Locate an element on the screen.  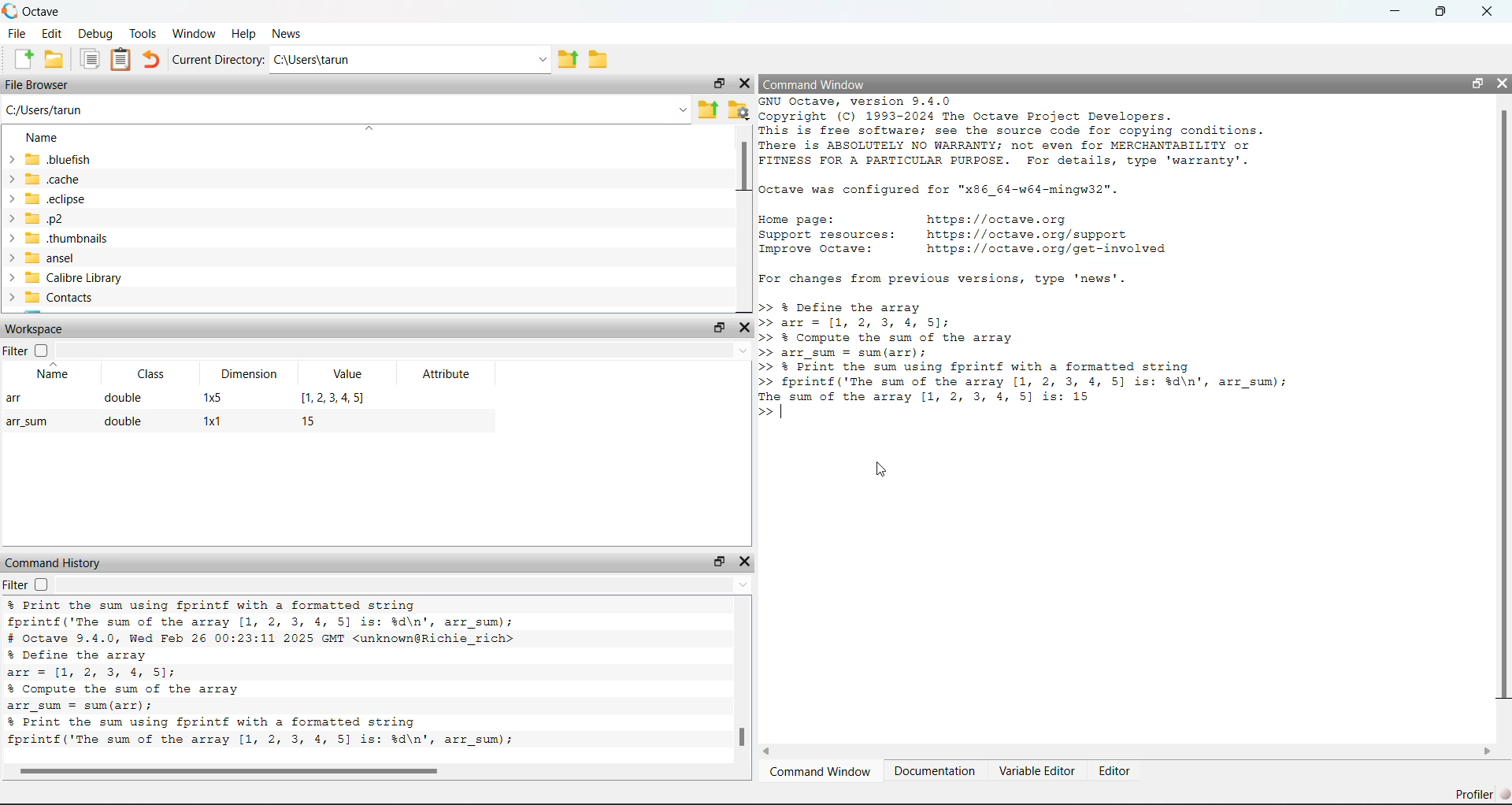
15 is located at coordinates (319, 420).